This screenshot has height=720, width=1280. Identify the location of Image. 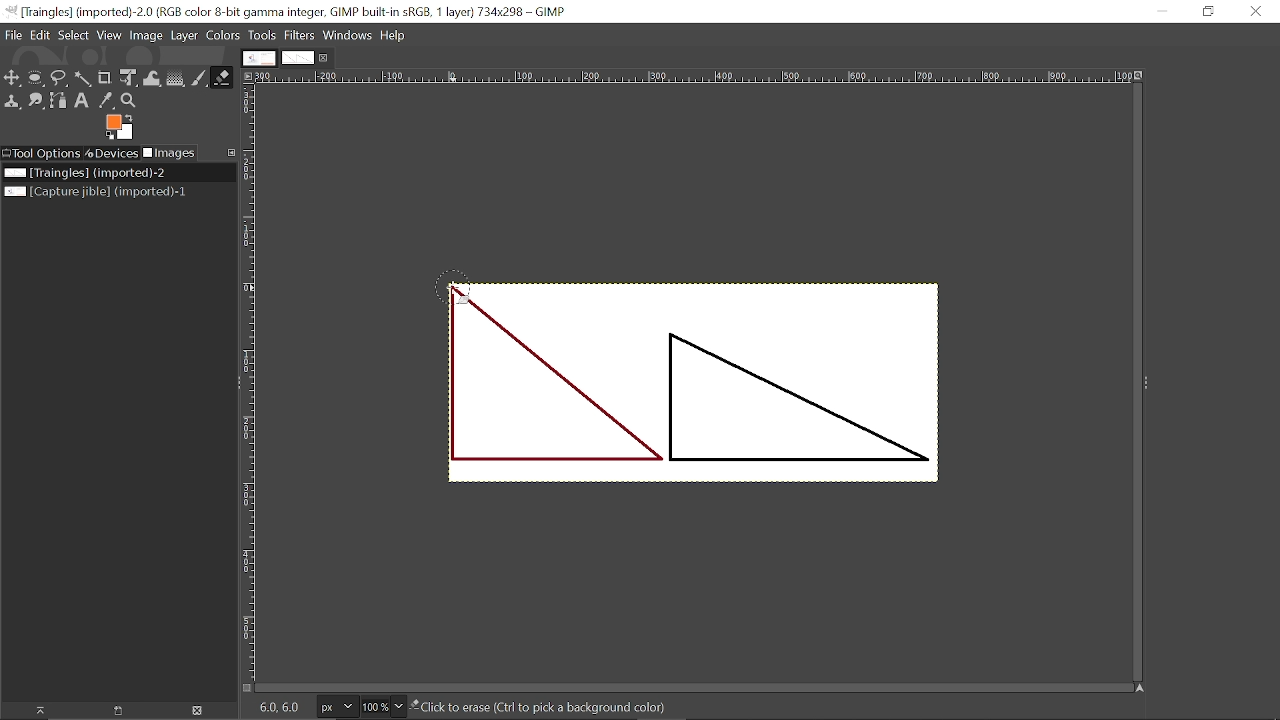
(145, 35).